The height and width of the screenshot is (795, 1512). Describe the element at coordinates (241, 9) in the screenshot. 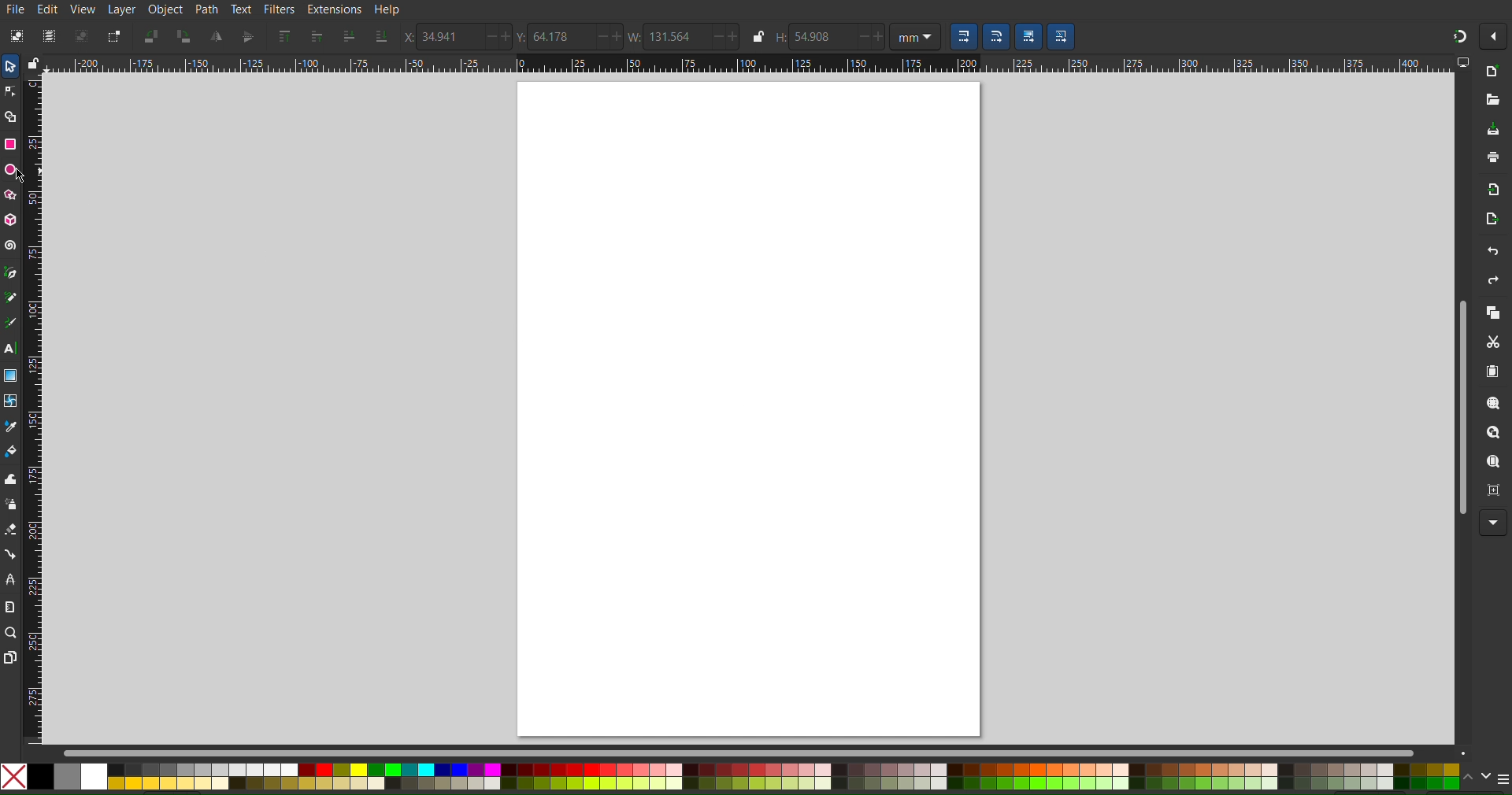

I see `Text` at that location.